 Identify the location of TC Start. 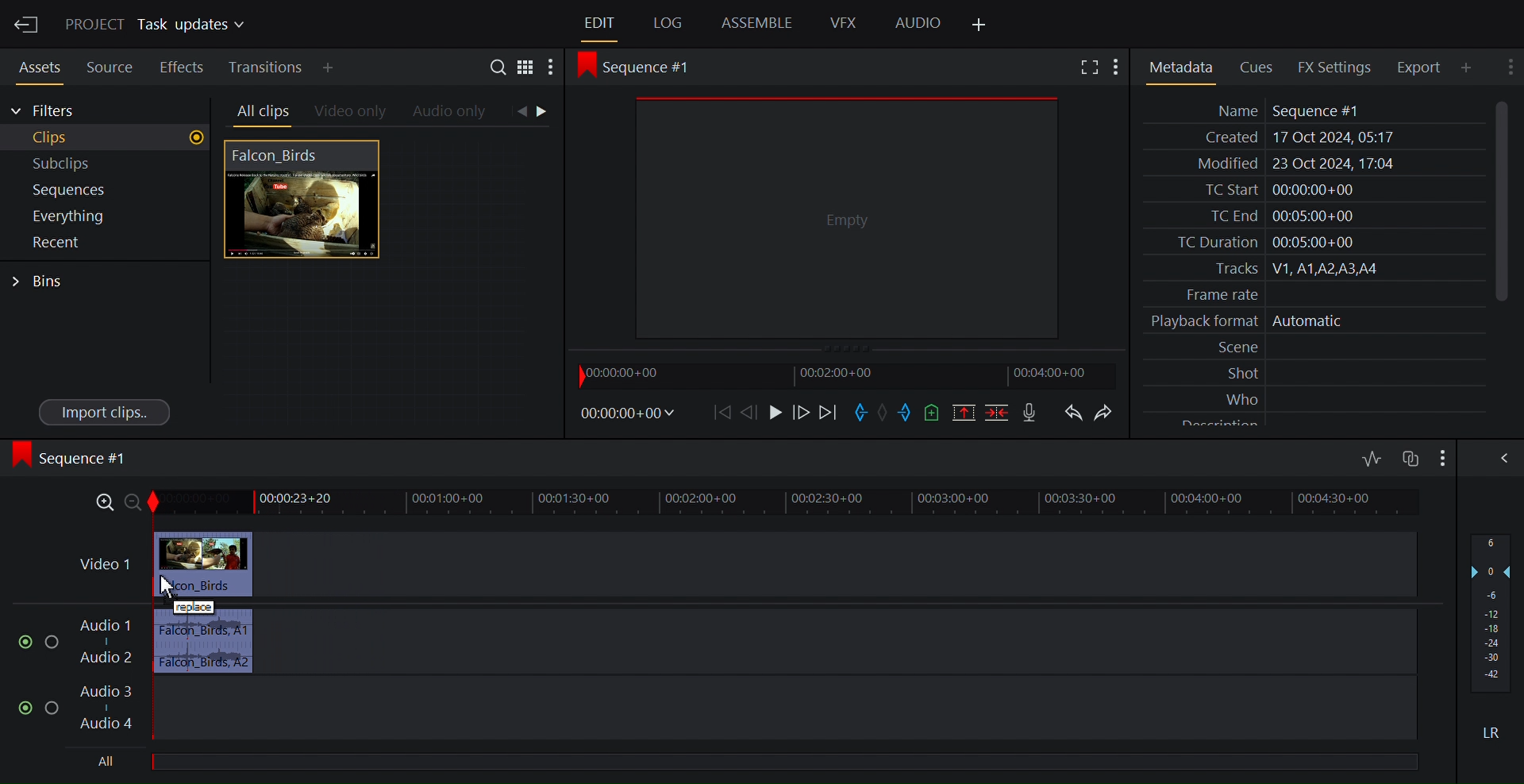
(1311, 190).